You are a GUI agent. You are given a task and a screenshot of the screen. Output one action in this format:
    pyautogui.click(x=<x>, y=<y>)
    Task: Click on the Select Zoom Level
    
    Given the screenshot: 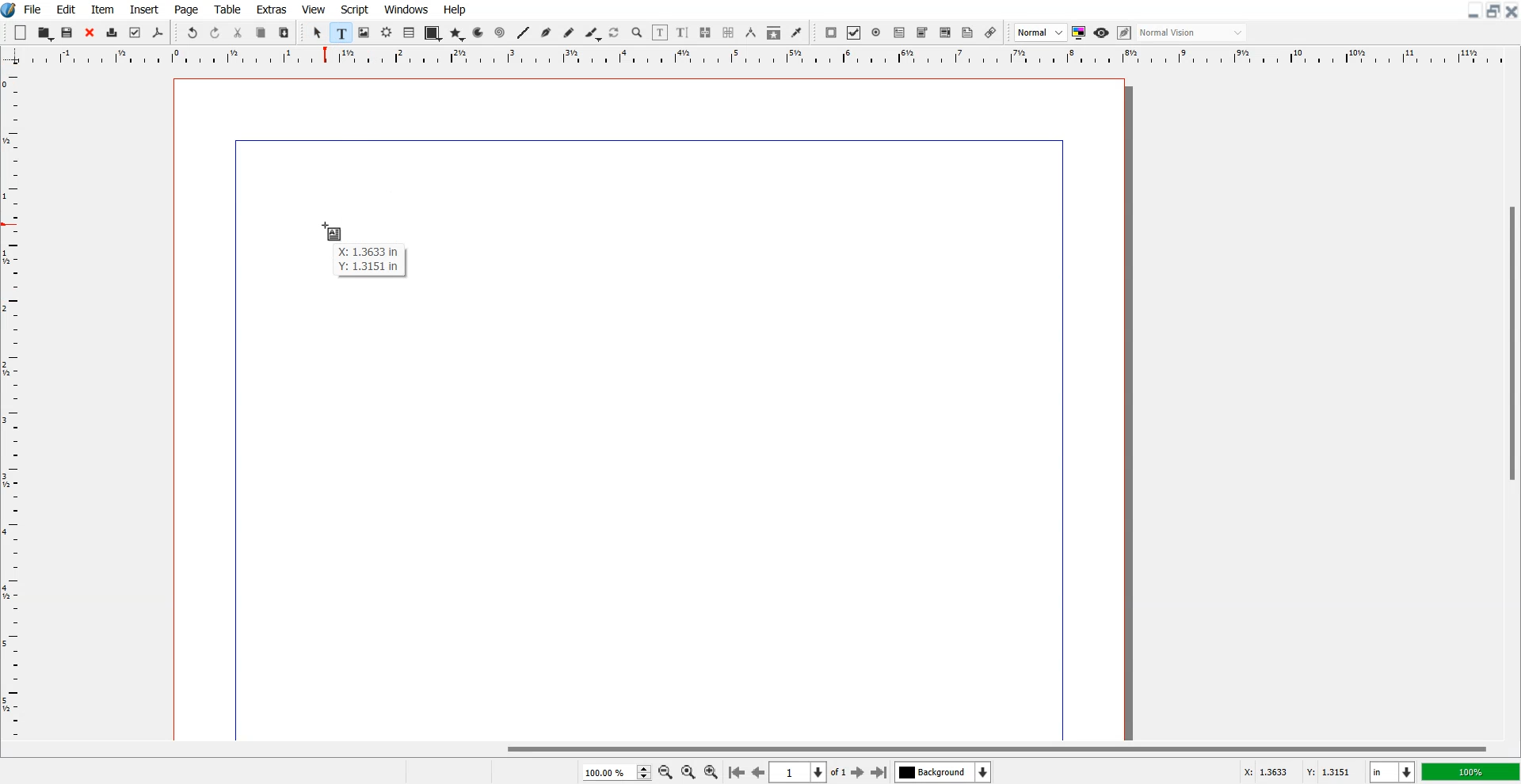 What is the action you would take?
    pyautogui.click(x=618, y=772)
    